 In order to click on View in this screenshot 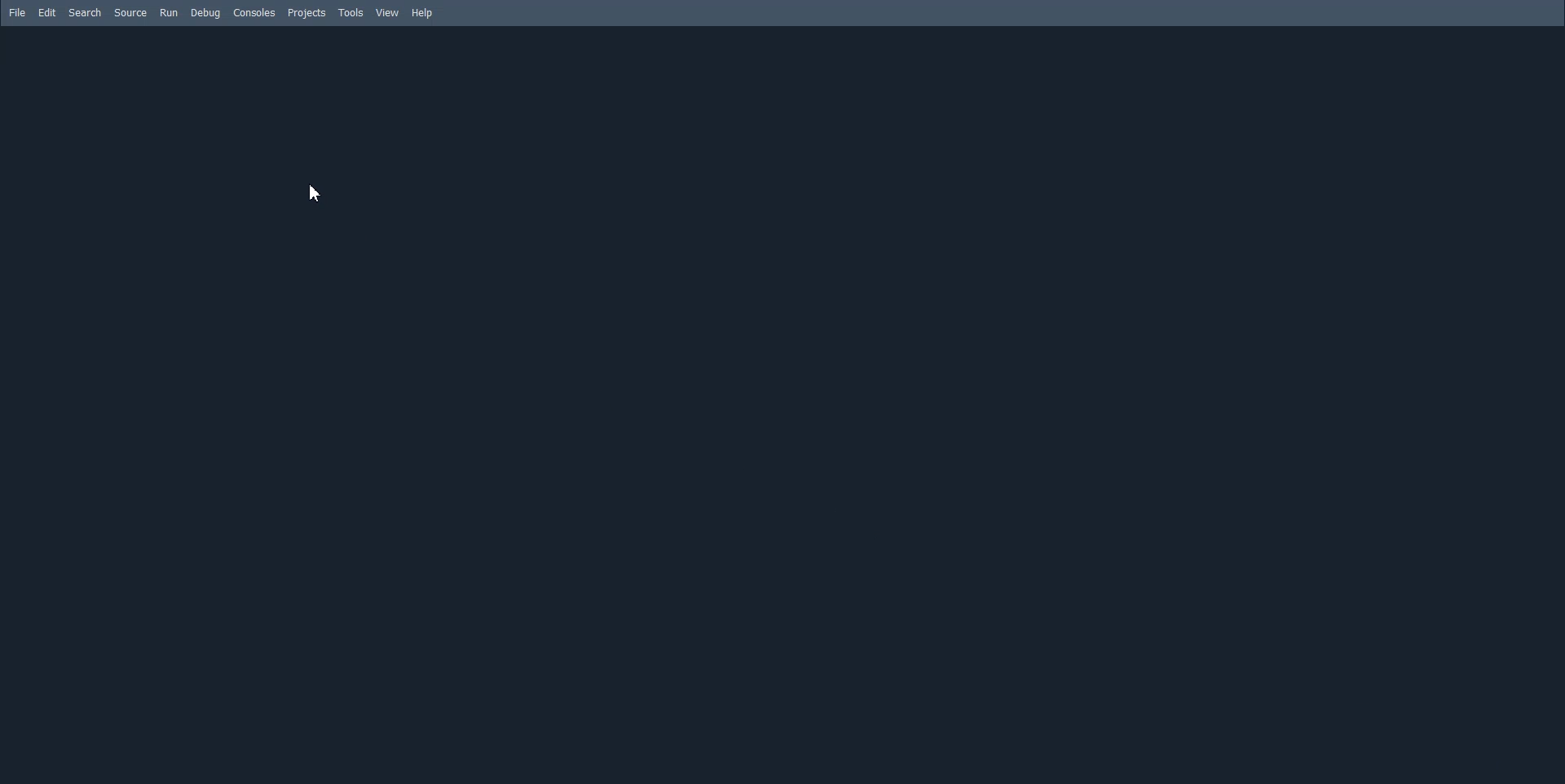, I will do `click(388, 13)`.